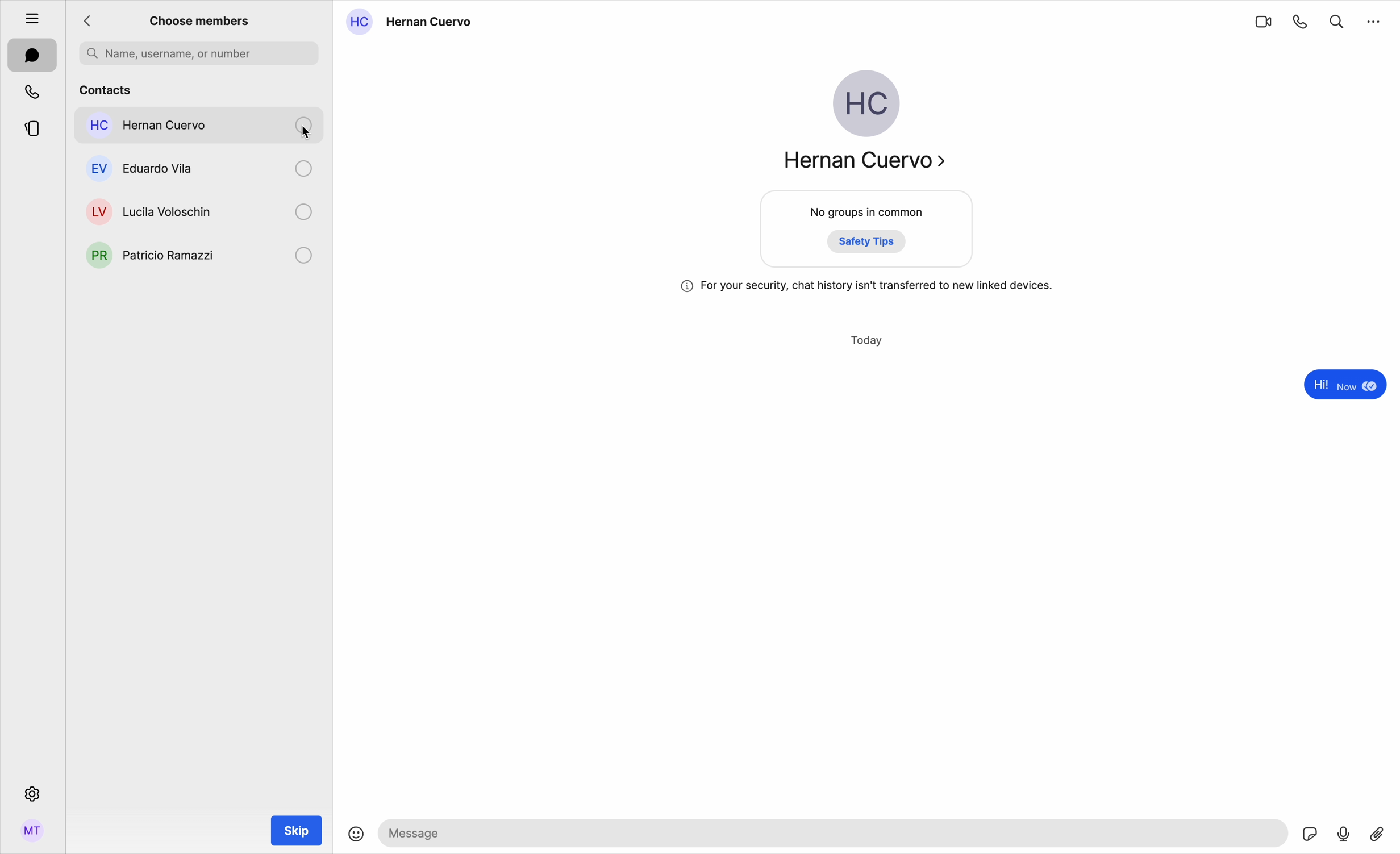  What do you see at coordinates (867, 286) in the screenshot?
I see `safety message` at bounding box center [867, 286].